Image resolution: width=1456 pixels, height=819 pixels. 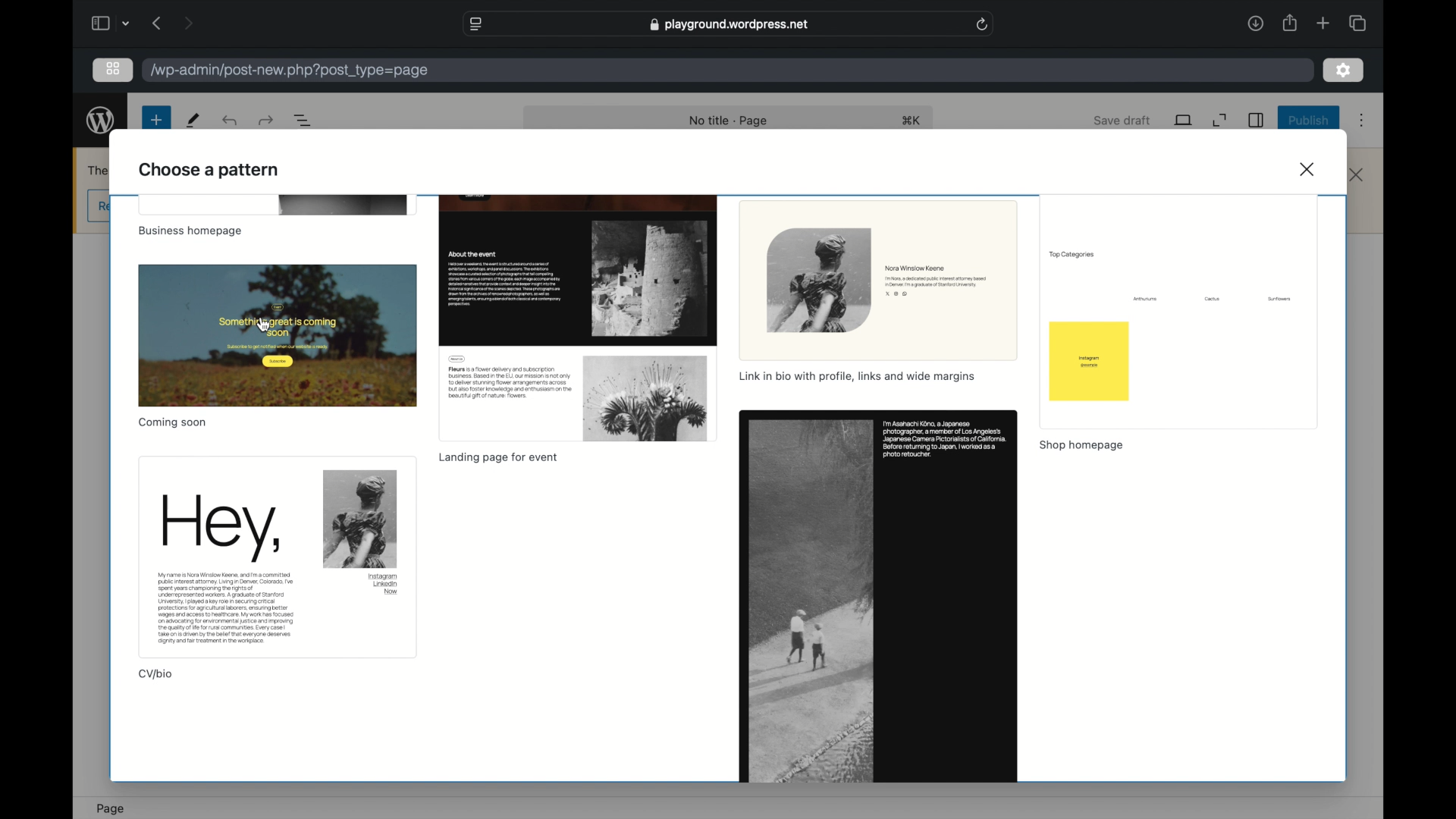 I want to click on preview, so click(x=879, y=596).